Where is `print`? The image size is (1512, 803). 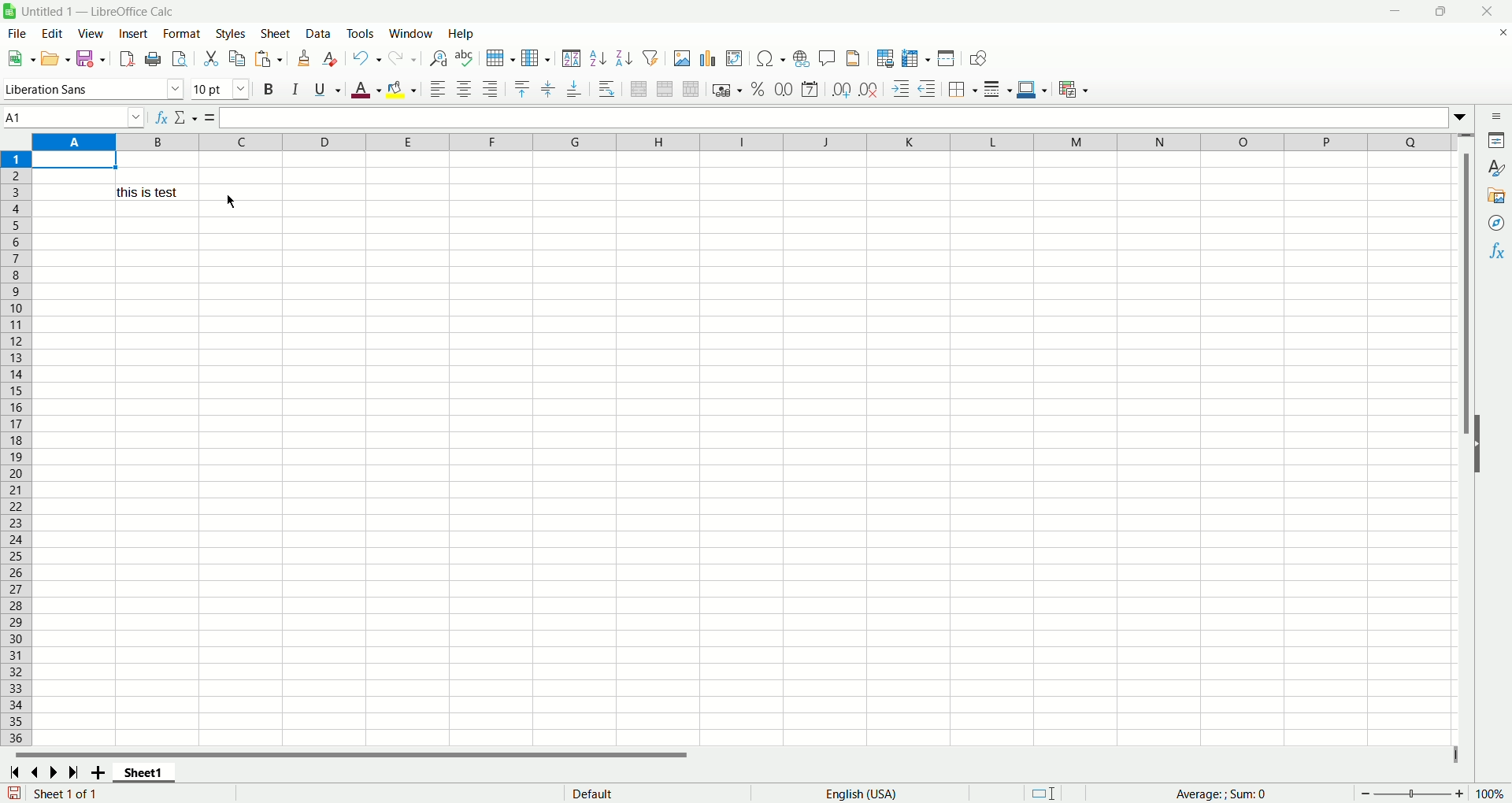 print is located at coordinates (153, 60).